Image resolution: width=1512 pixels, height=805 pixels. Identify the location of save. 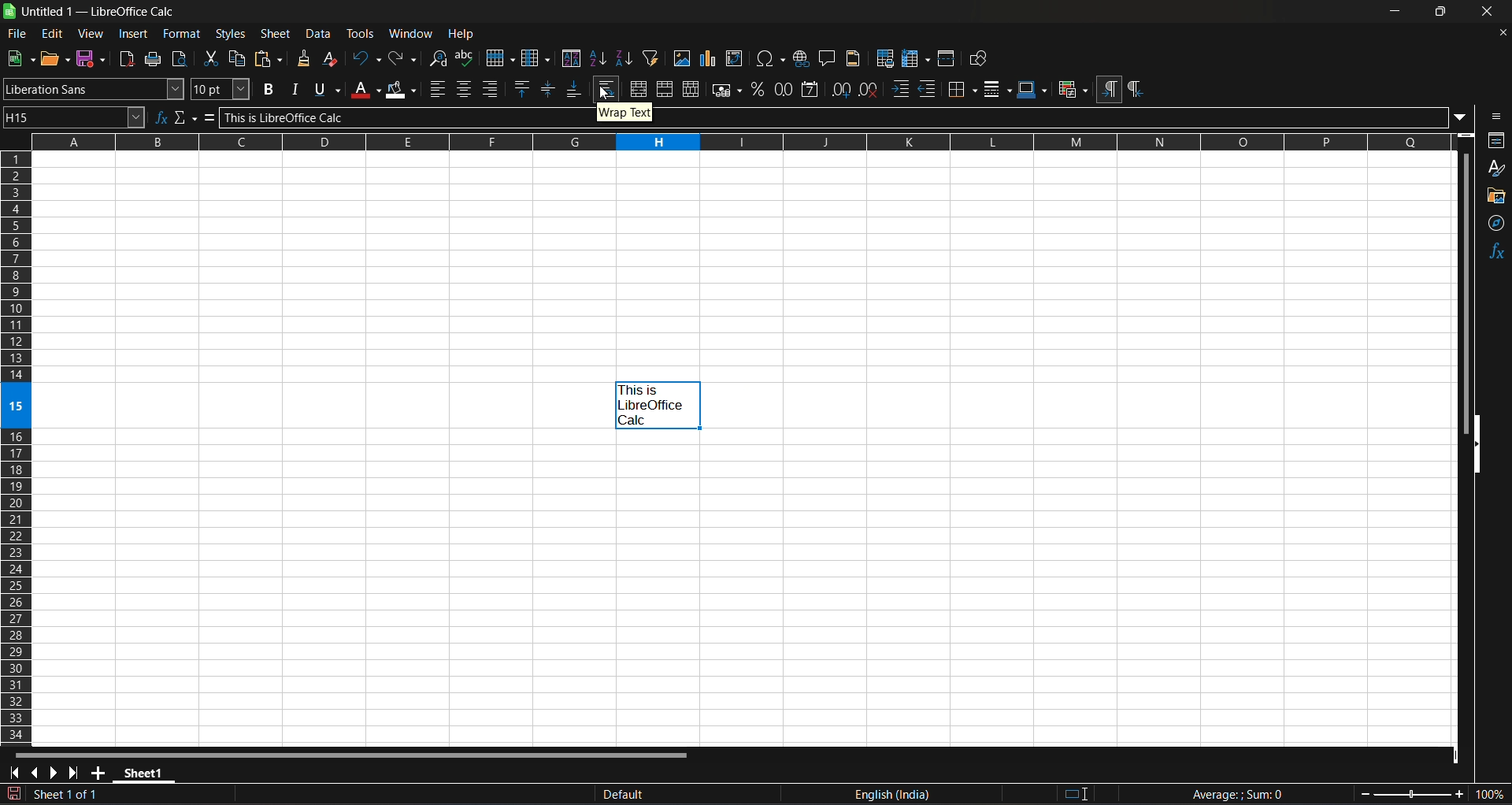
(90, 57).